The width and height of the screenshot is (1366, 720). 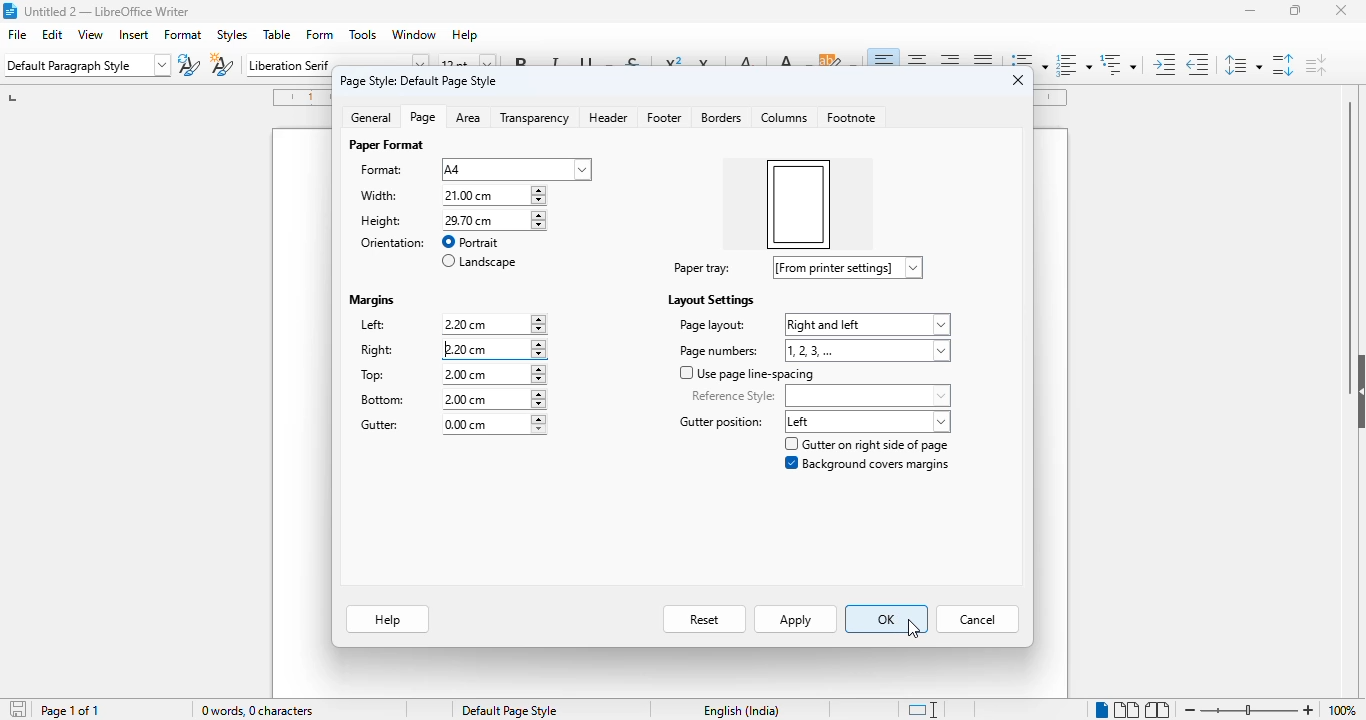 I want to click on set paragraph style, so click(x=87, y=66).